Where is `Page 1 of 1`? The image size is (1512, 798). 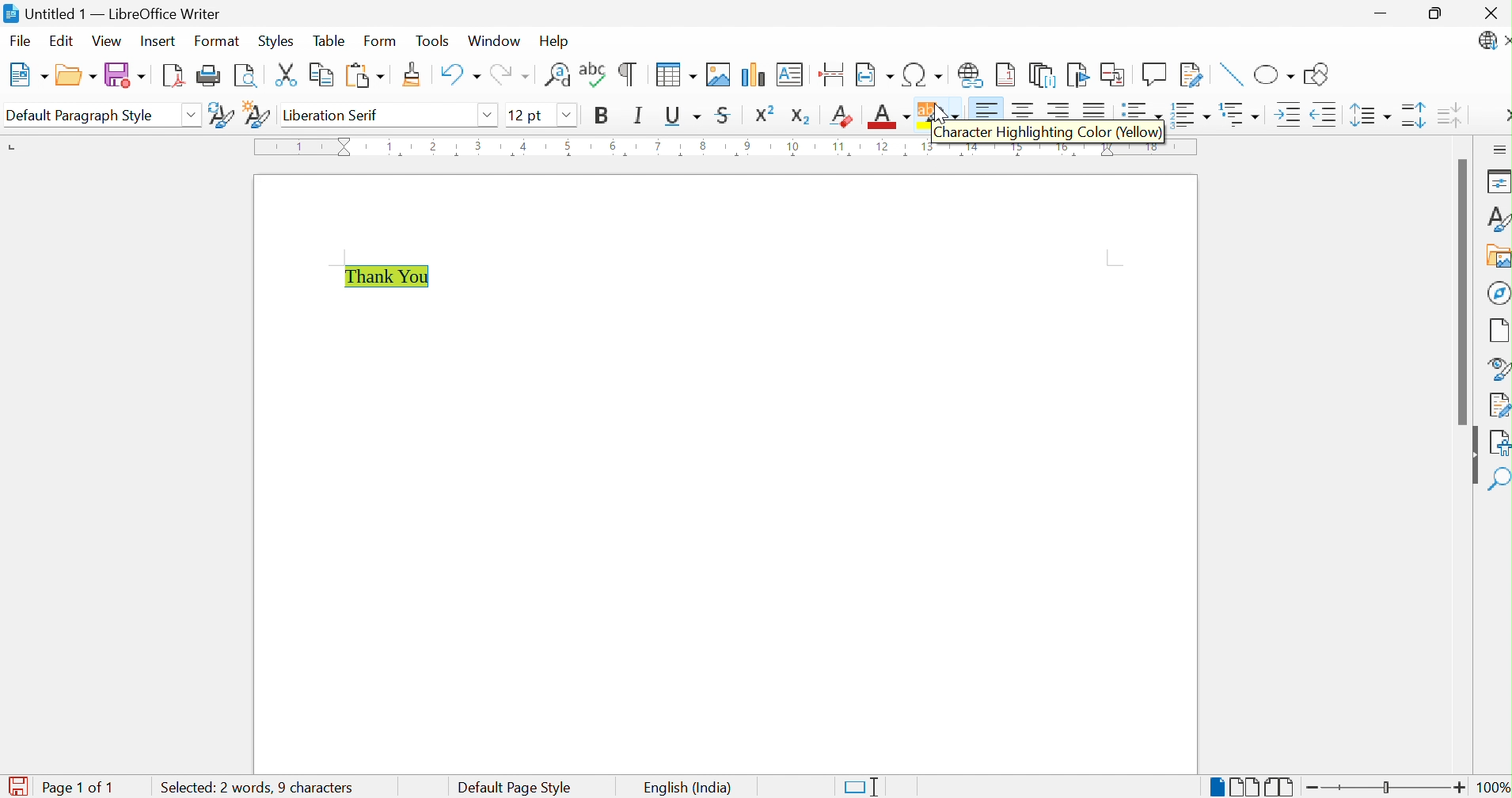
Page 1 of 1 is located at coordinates (82, 788).